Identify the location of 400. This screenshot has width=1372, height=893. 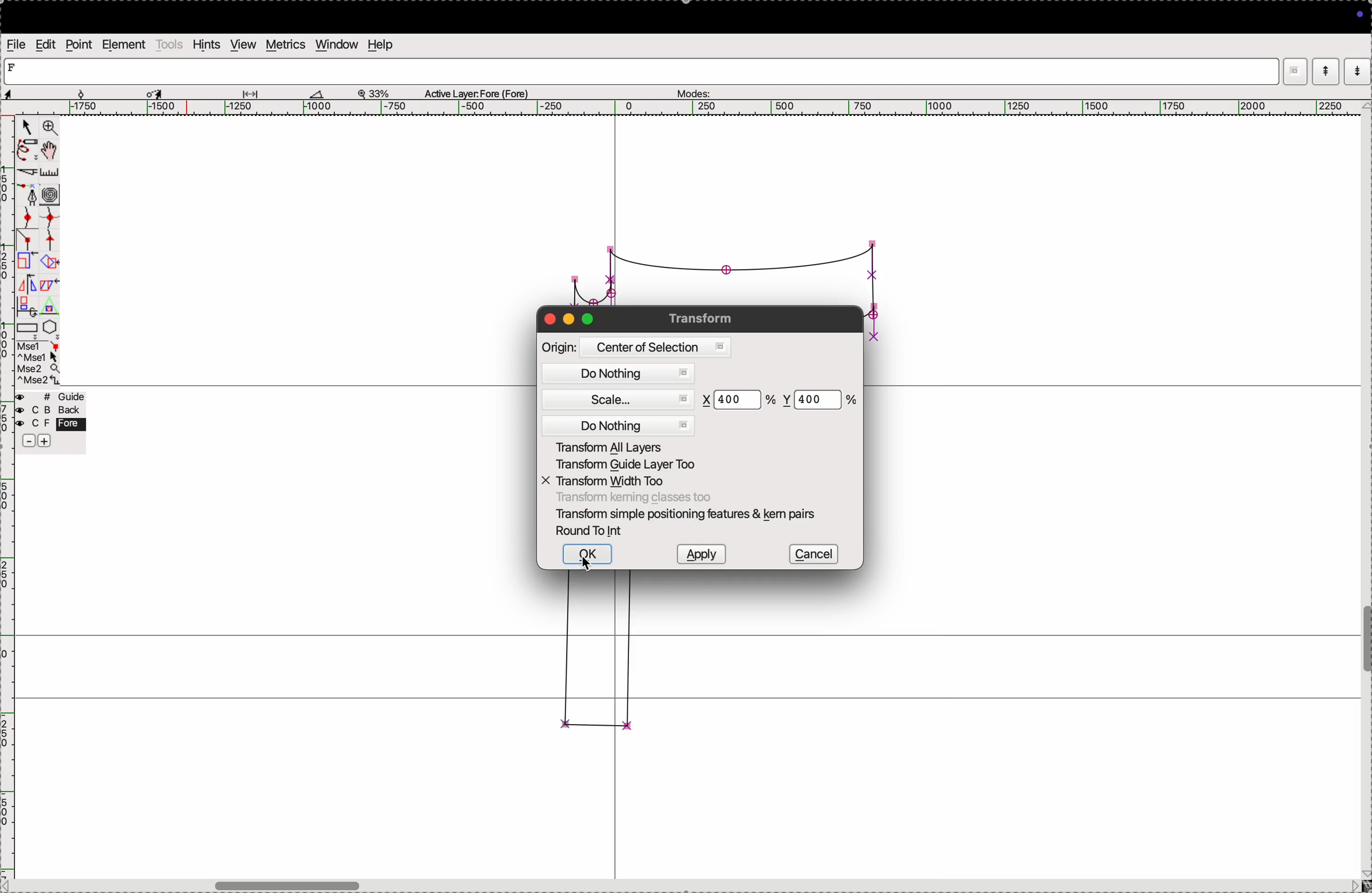
(813, 397).